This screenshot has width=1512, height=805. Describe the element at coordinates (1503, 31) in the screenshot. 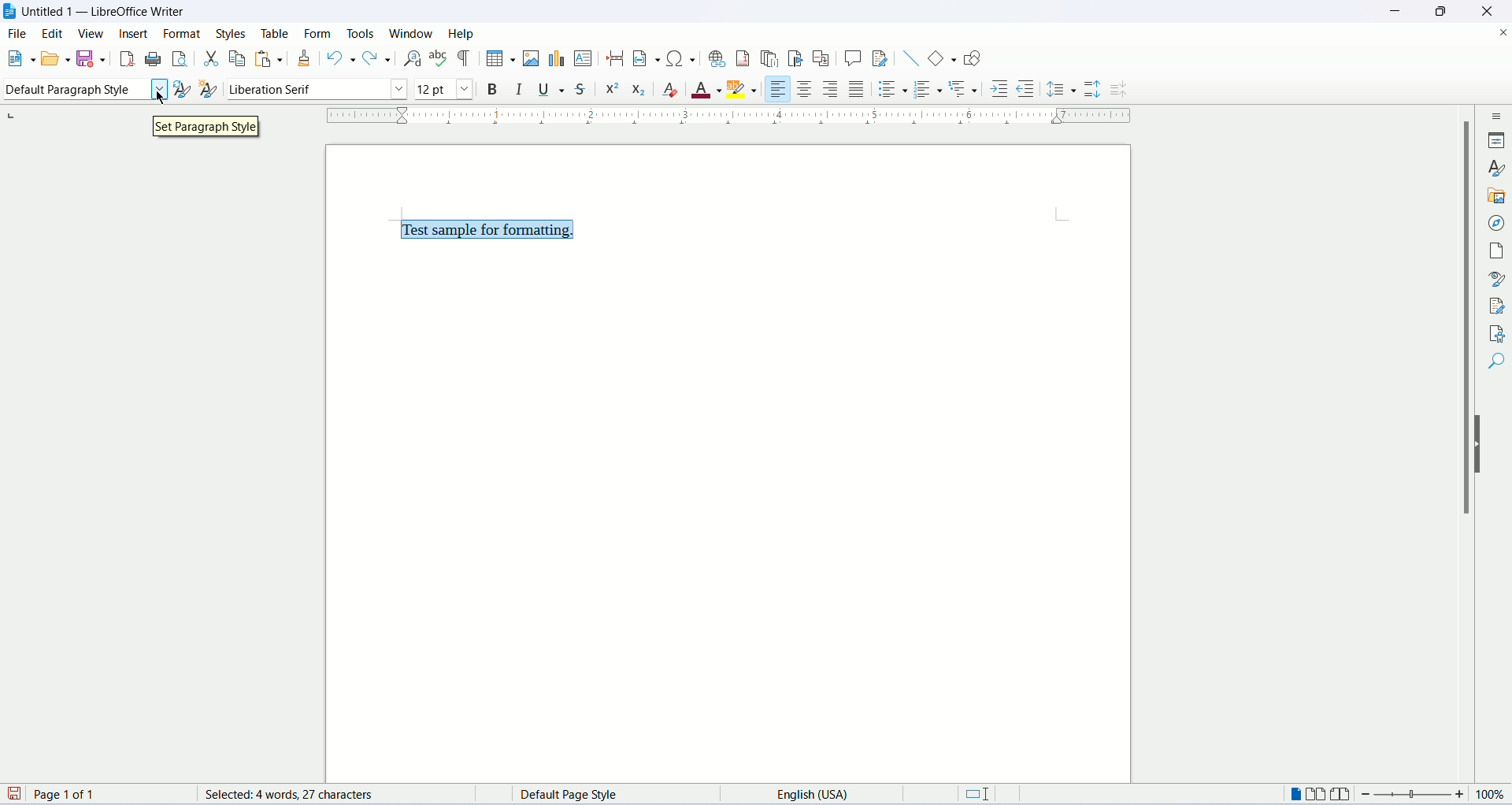

I see `close` at that location.